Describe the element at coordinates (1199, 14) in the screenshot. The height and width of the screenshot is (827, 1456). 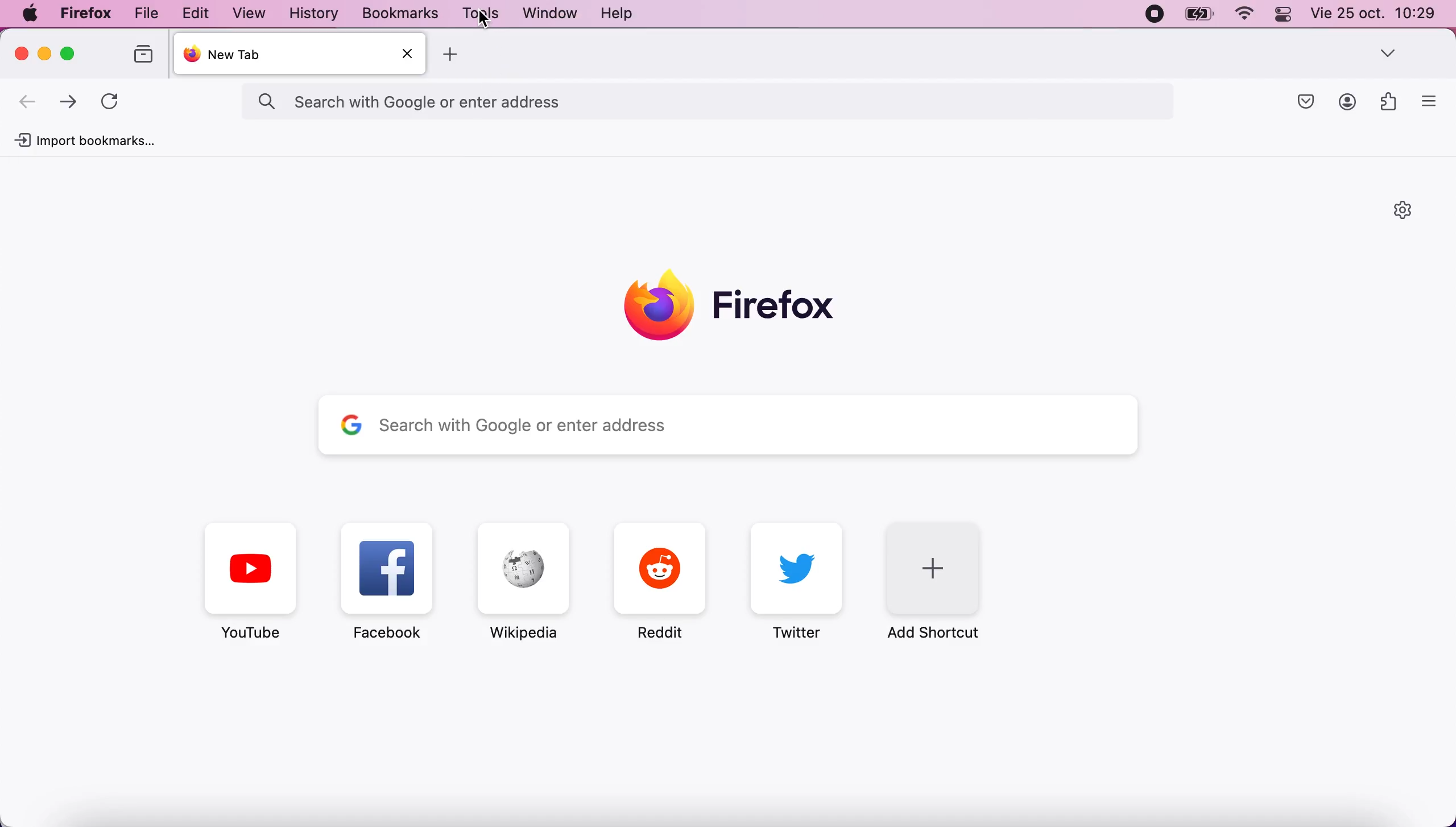
I see `Battery` at that location.